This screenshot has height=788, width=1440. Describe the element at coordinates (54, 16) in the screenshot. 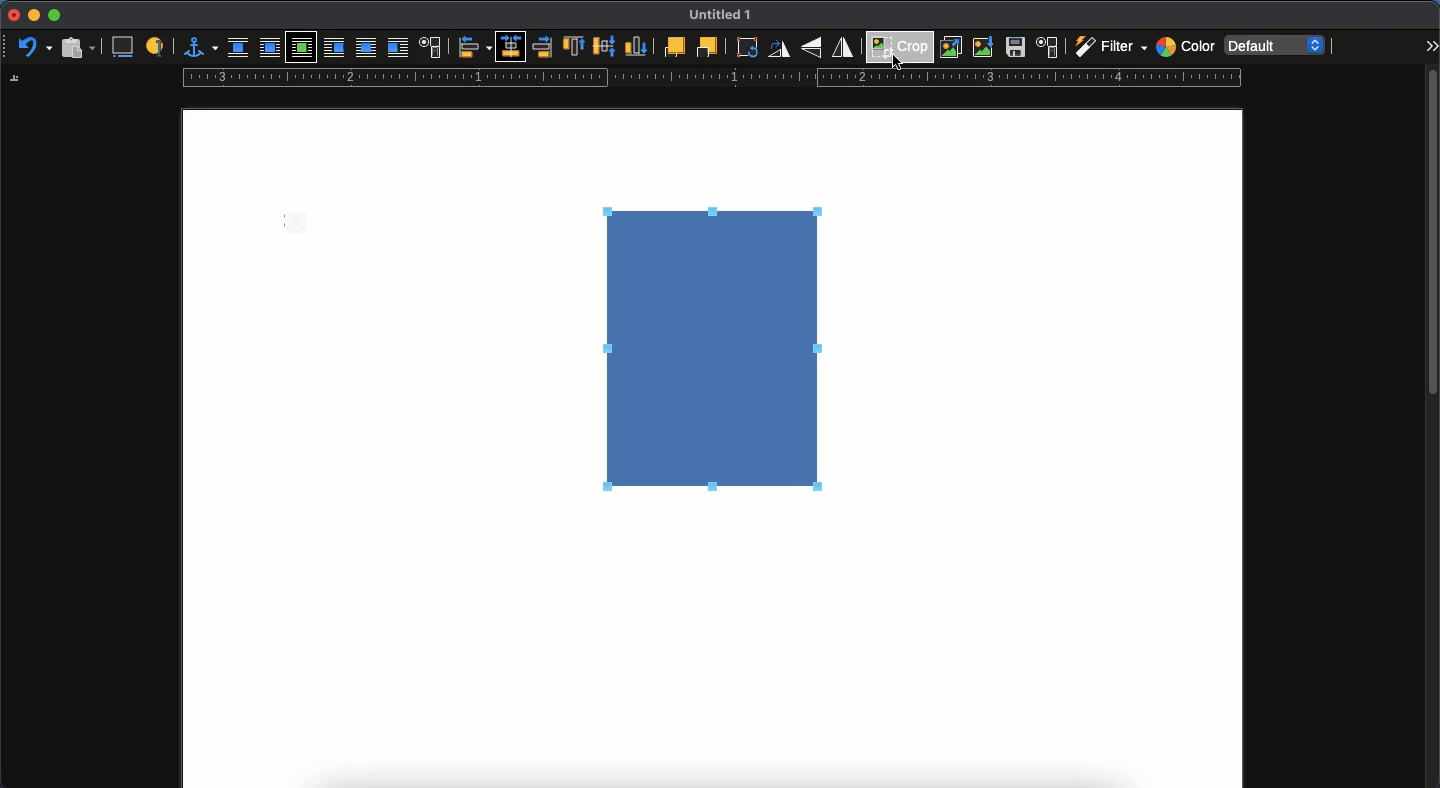

I see `maximize` at that location.